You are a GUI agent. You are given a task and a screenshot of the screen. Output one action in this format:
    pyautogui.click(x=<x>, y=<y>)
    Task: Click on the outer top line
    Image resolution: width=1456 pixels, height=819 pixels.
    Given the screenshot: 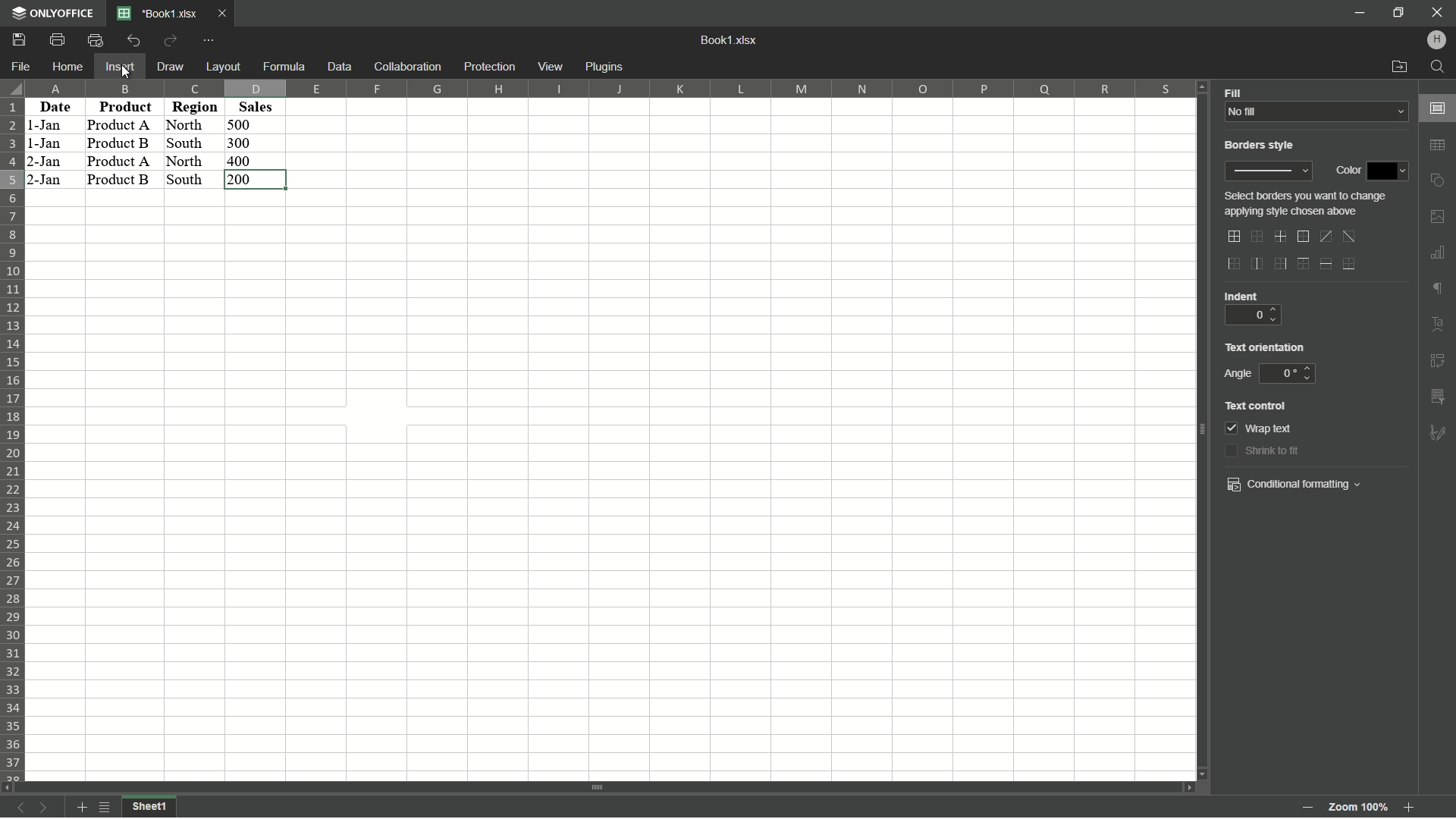 What is the action you would take?
    pyautogui.click(x=1301, y=265)
    